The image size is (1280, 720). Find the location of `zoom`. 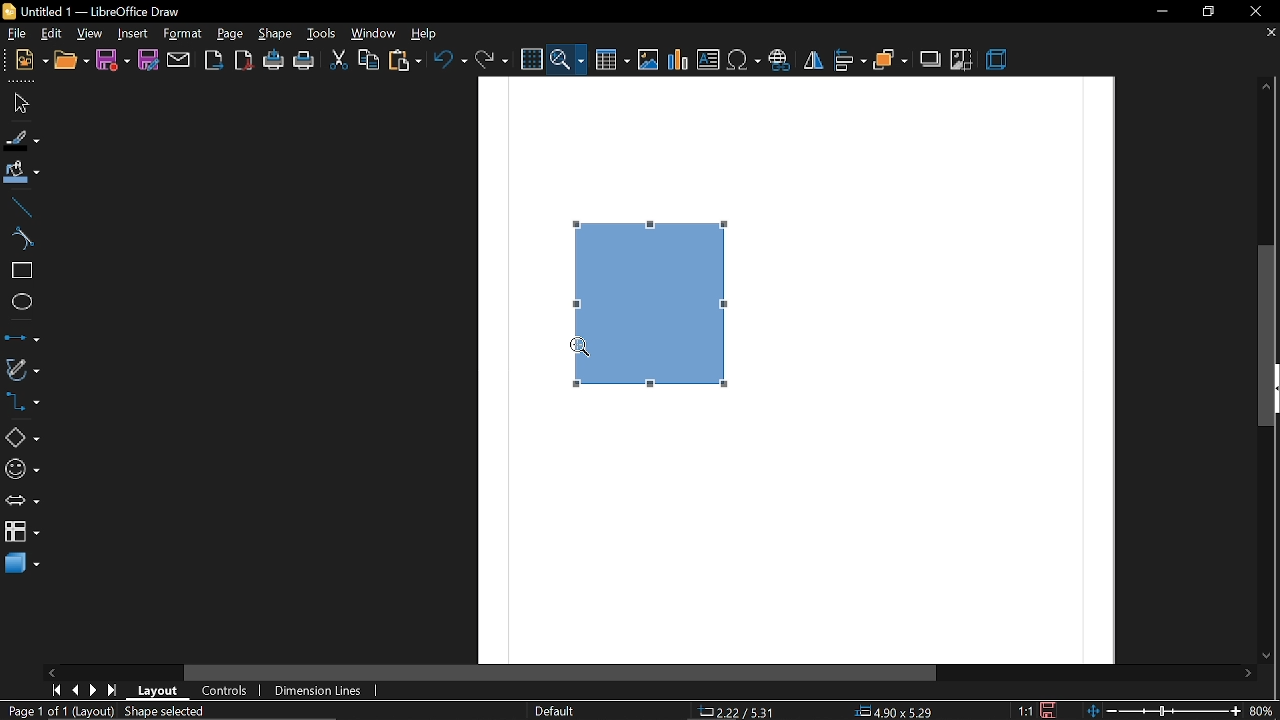

zoom is located at coordinates (567, 60).